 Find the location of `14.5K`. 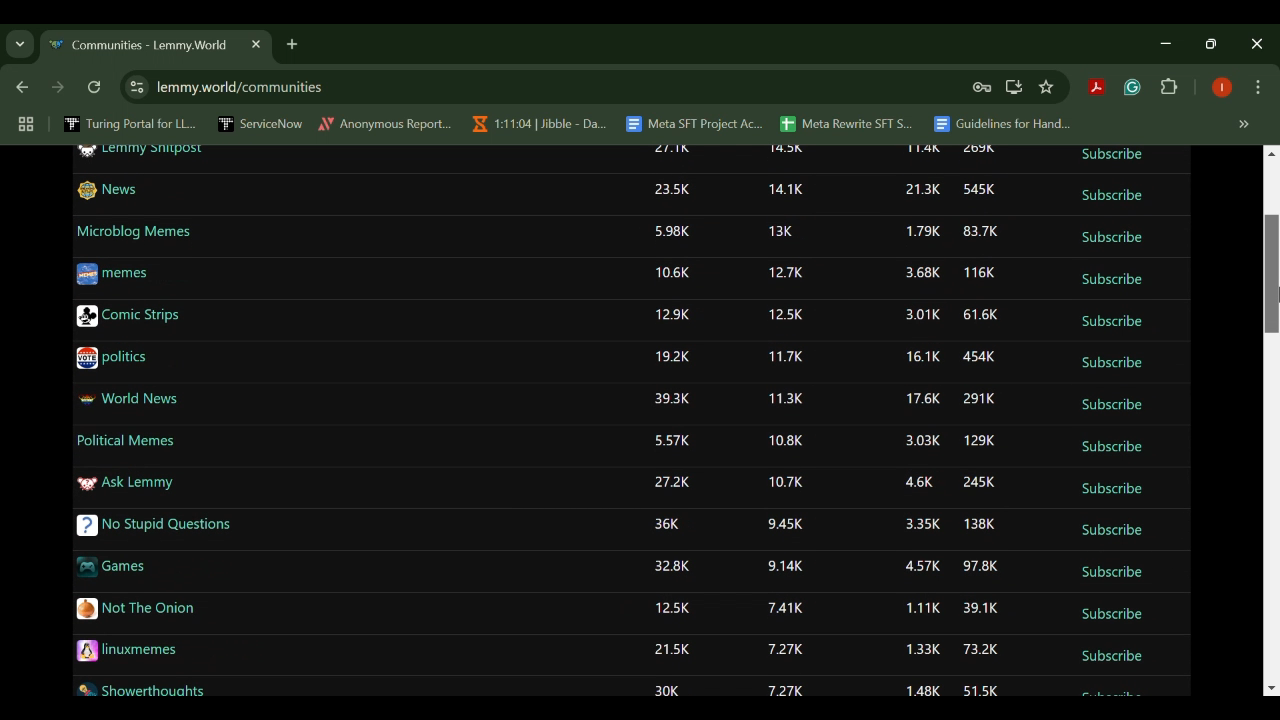

14.5K is located at coordinates (786, 148).